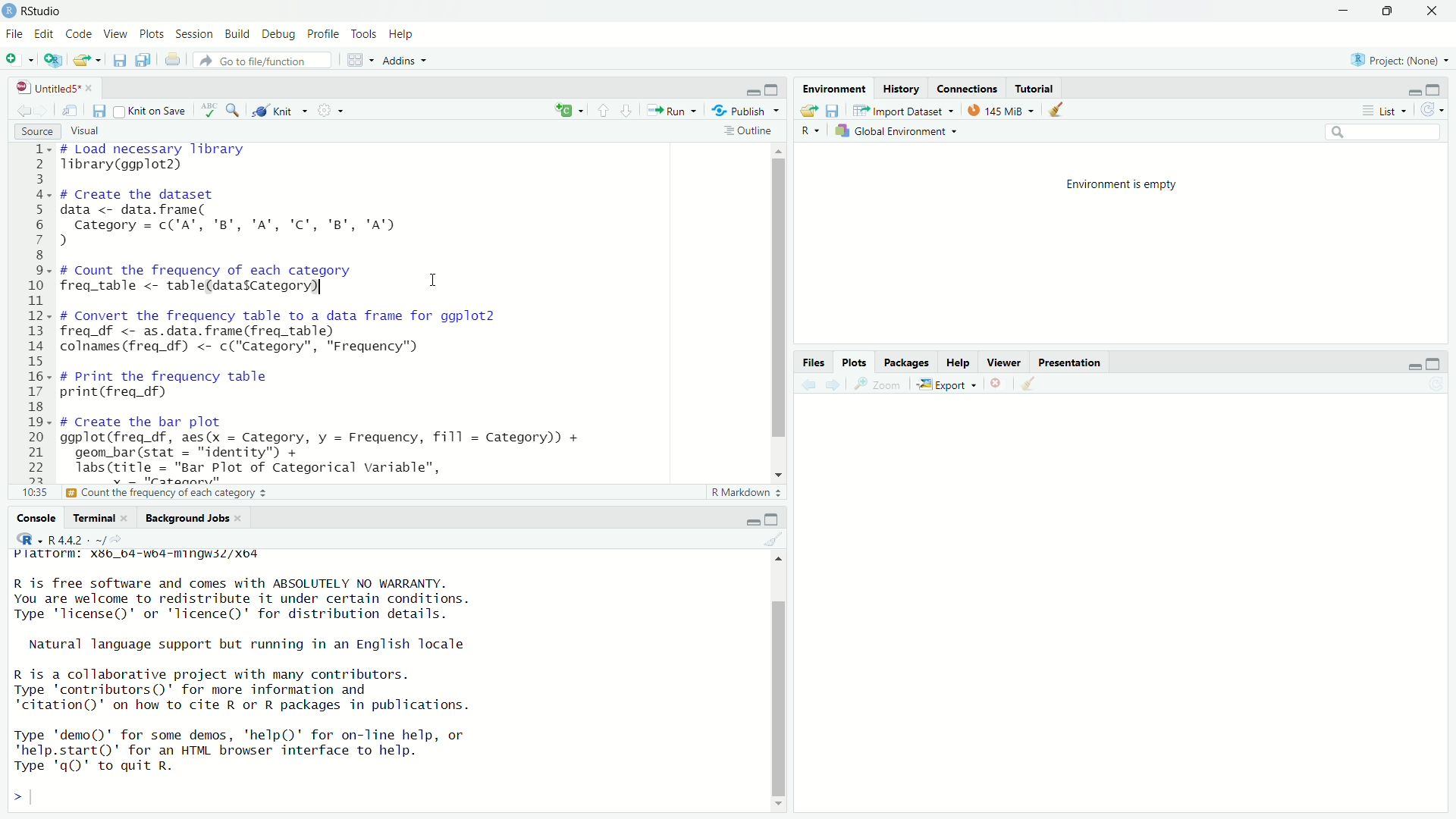  Describe the element at coordinates (101, 111) in the screenshot. I see `save` at that location.